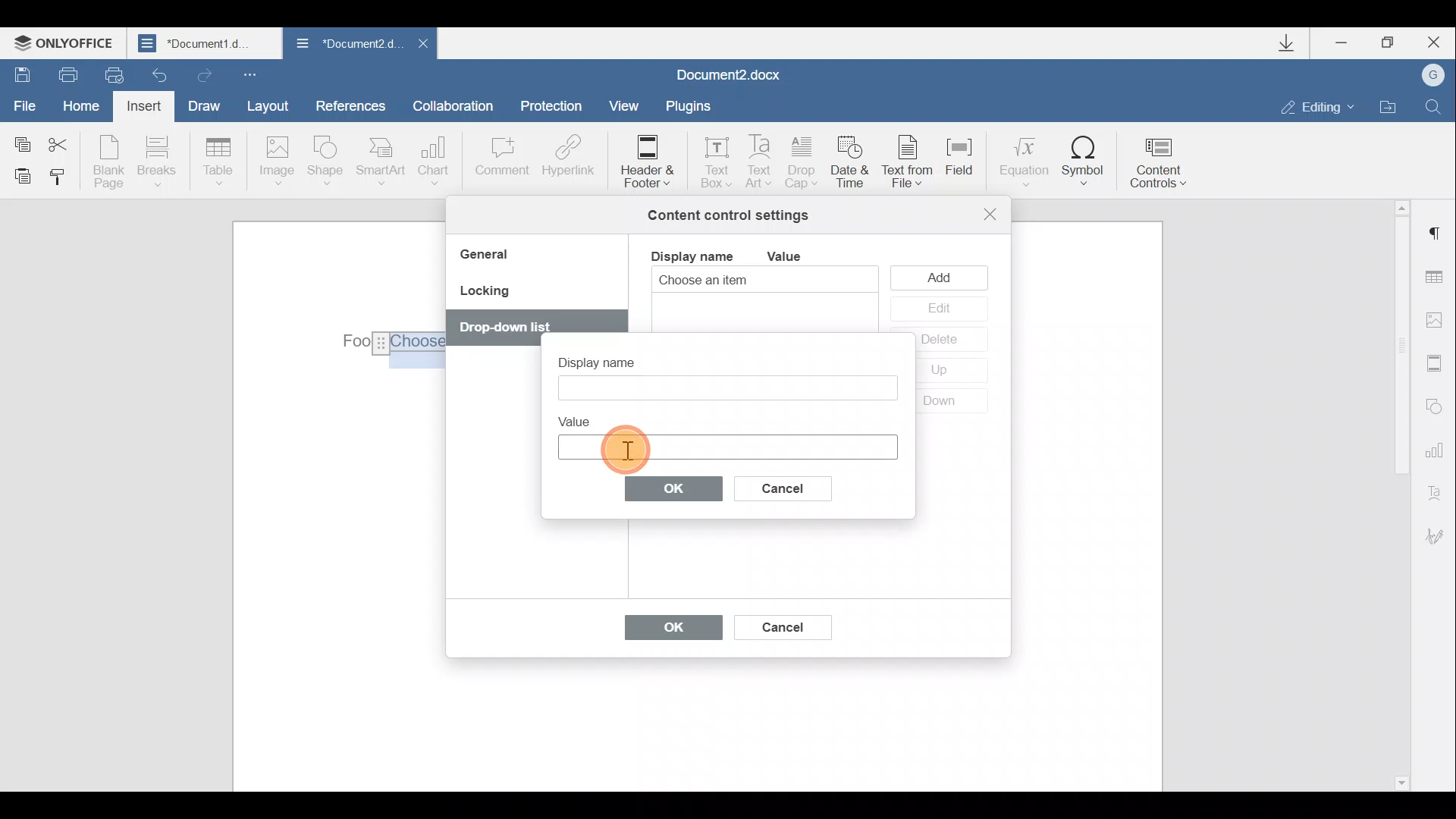 The width and height of the screenshot is (1456, 819). I want to click on Plugins, so click(693, 106).